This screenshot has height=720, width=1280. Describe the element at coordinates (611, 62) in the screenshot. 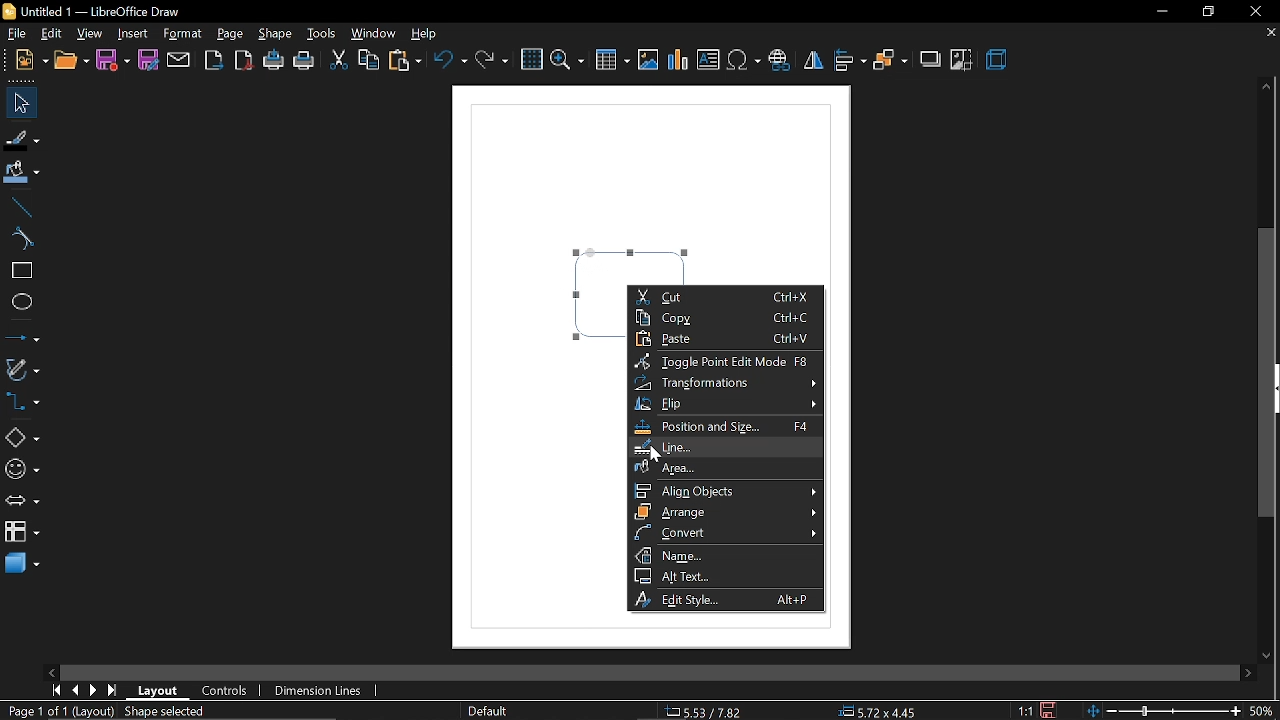

I see `insert table` at that location.